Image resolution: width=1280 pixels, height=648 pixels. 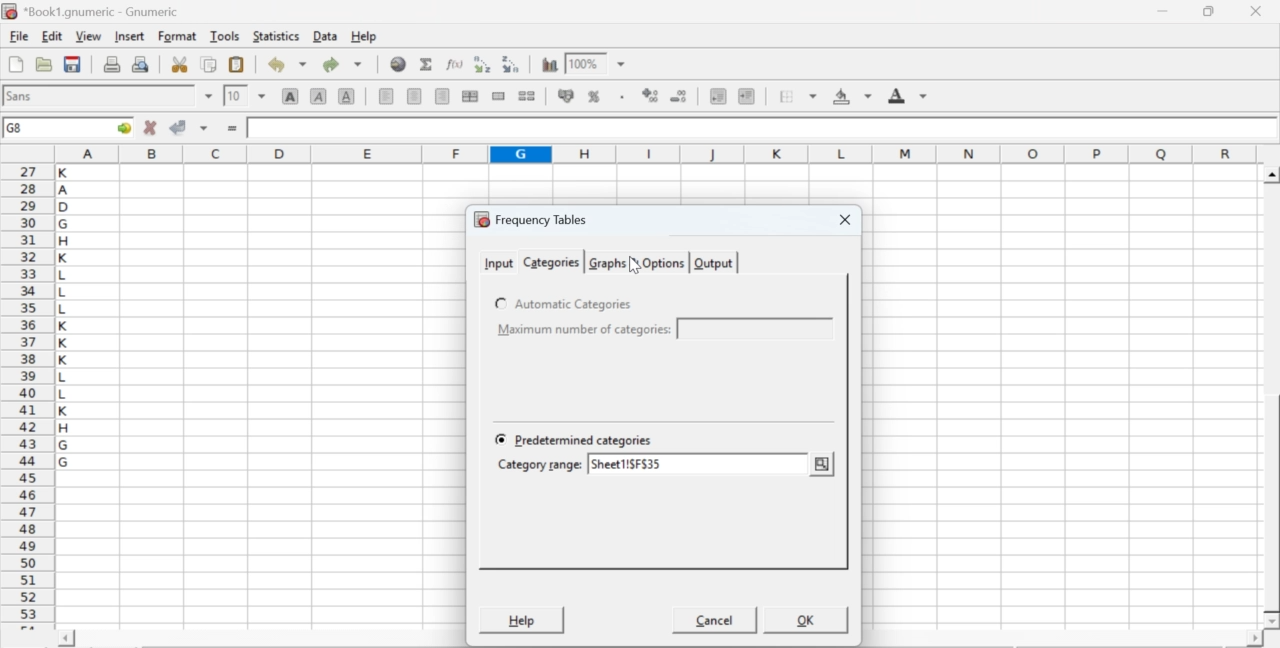 I want to click on 100%, so click(x=583, y=63).